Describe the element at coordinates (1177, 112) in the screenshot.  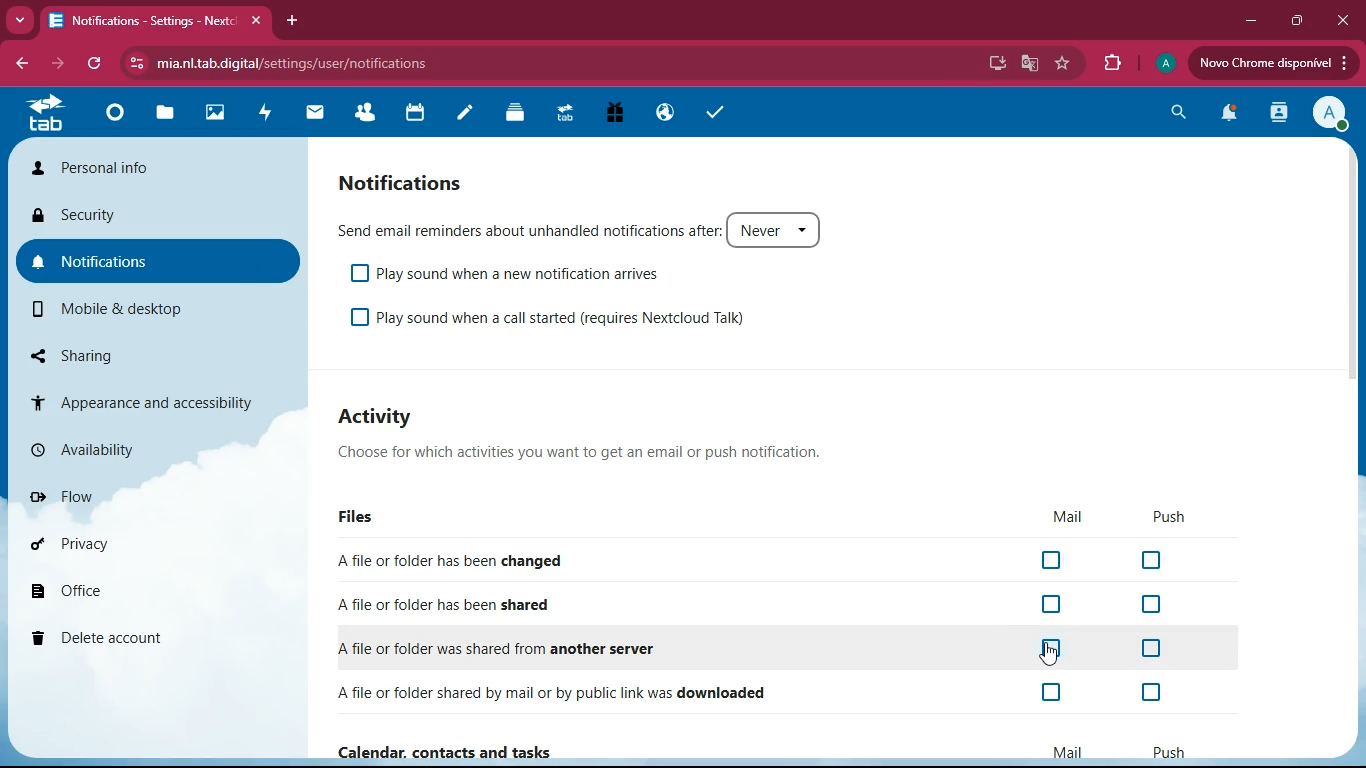
I see `search` at that location.